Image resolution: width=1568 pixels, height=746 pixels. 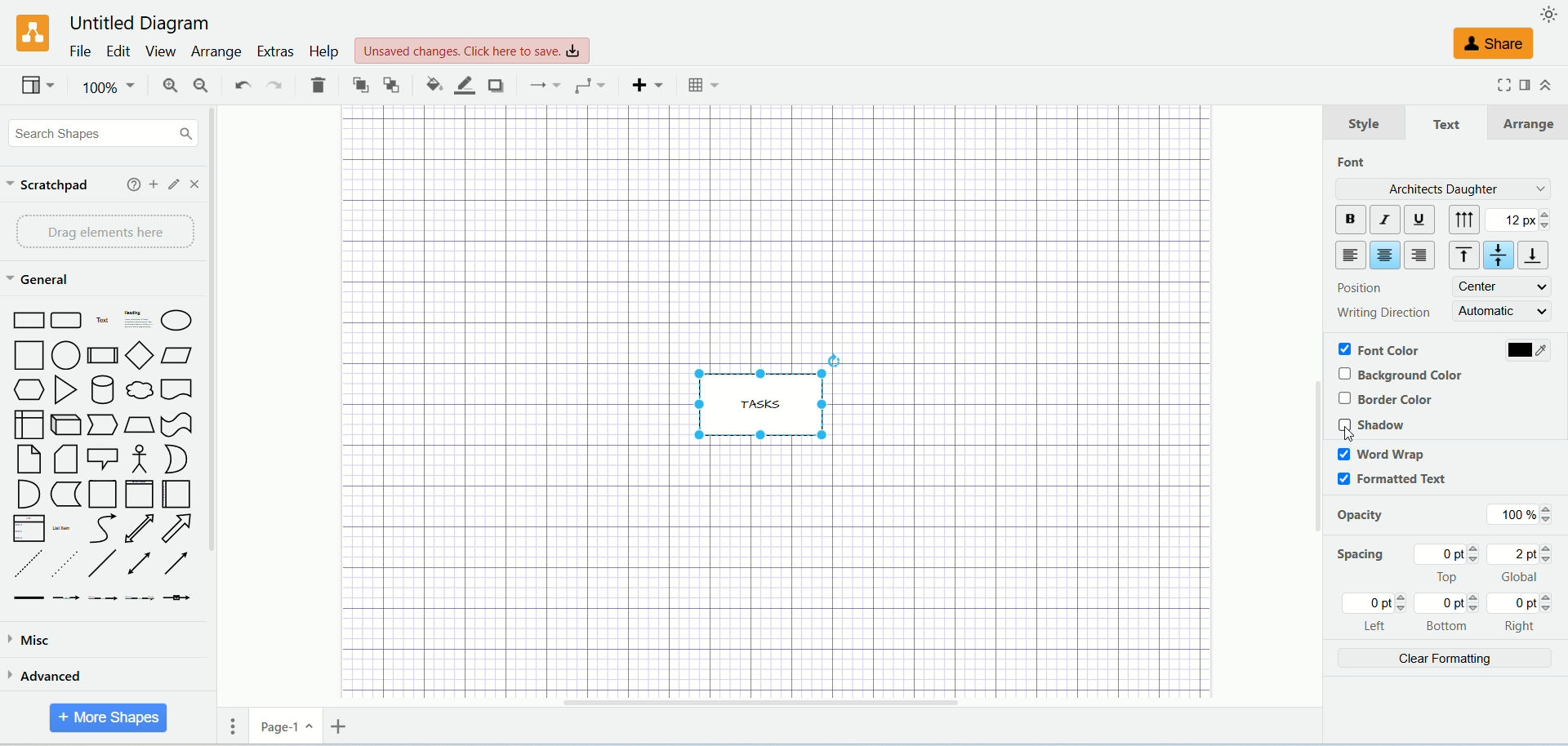 What do you see at coordinates (1392, 482) in the screenshot?
I see `formatted text` at bounding box center [1392, 482].